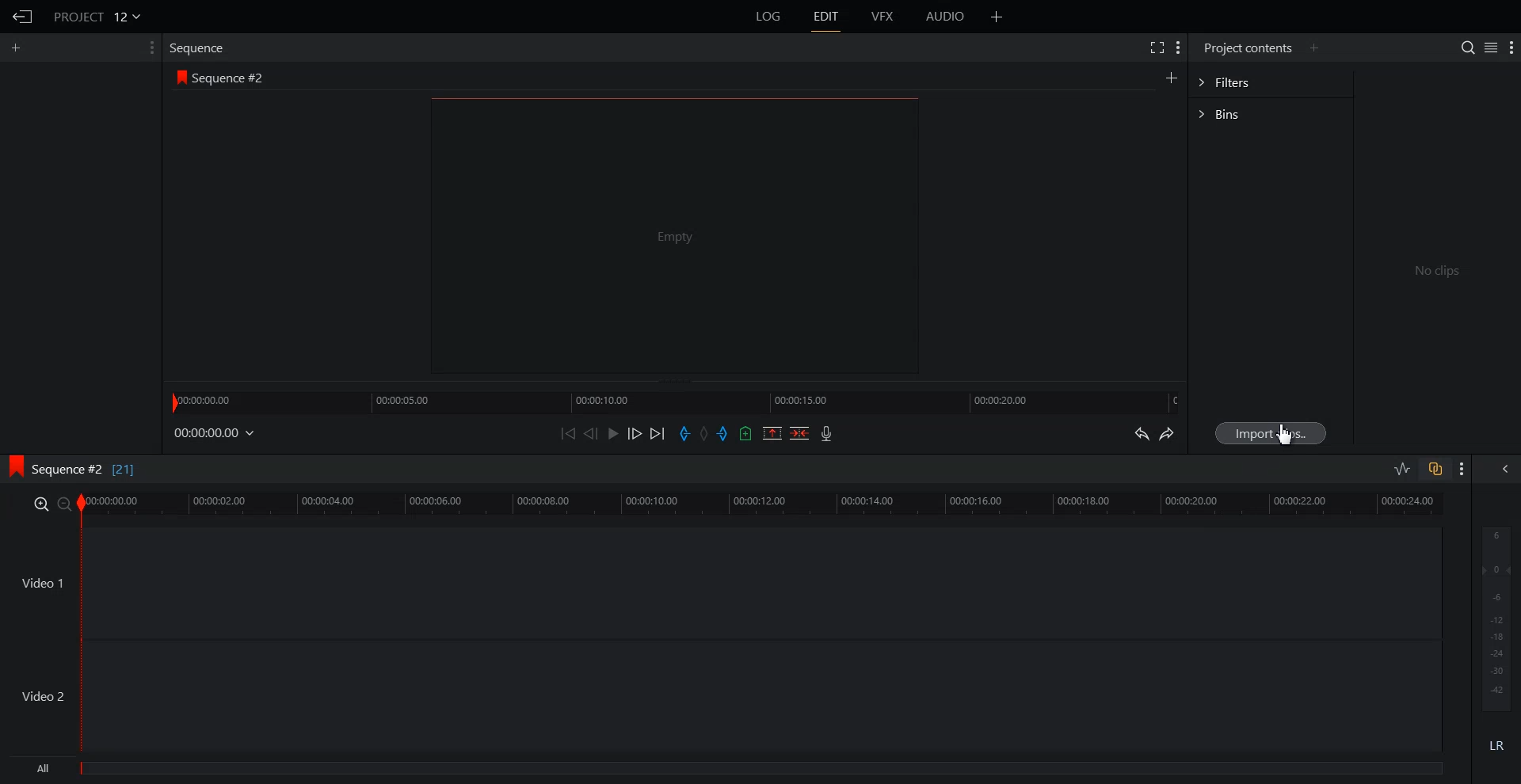  I want to click on Redo, so click(1169, 435).